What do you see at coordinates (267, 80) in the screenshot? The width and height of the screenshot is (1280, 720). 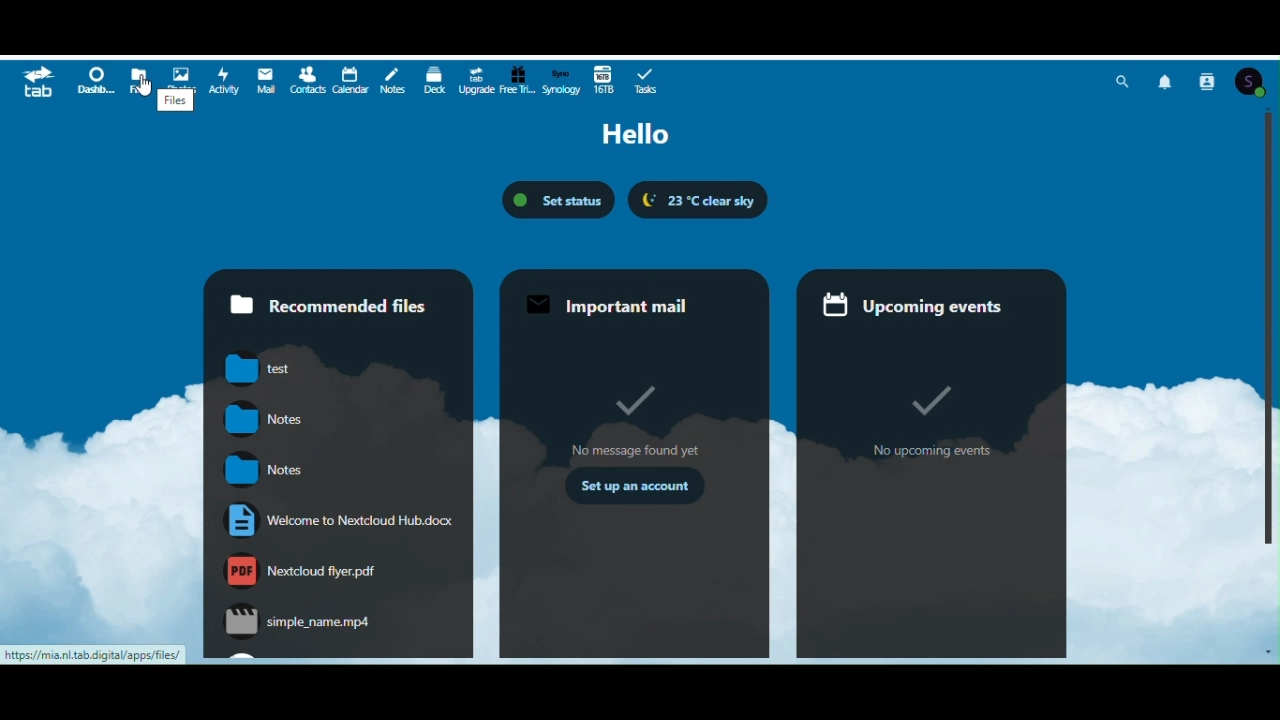 I see `Mail` at bounding box center [267, 80].